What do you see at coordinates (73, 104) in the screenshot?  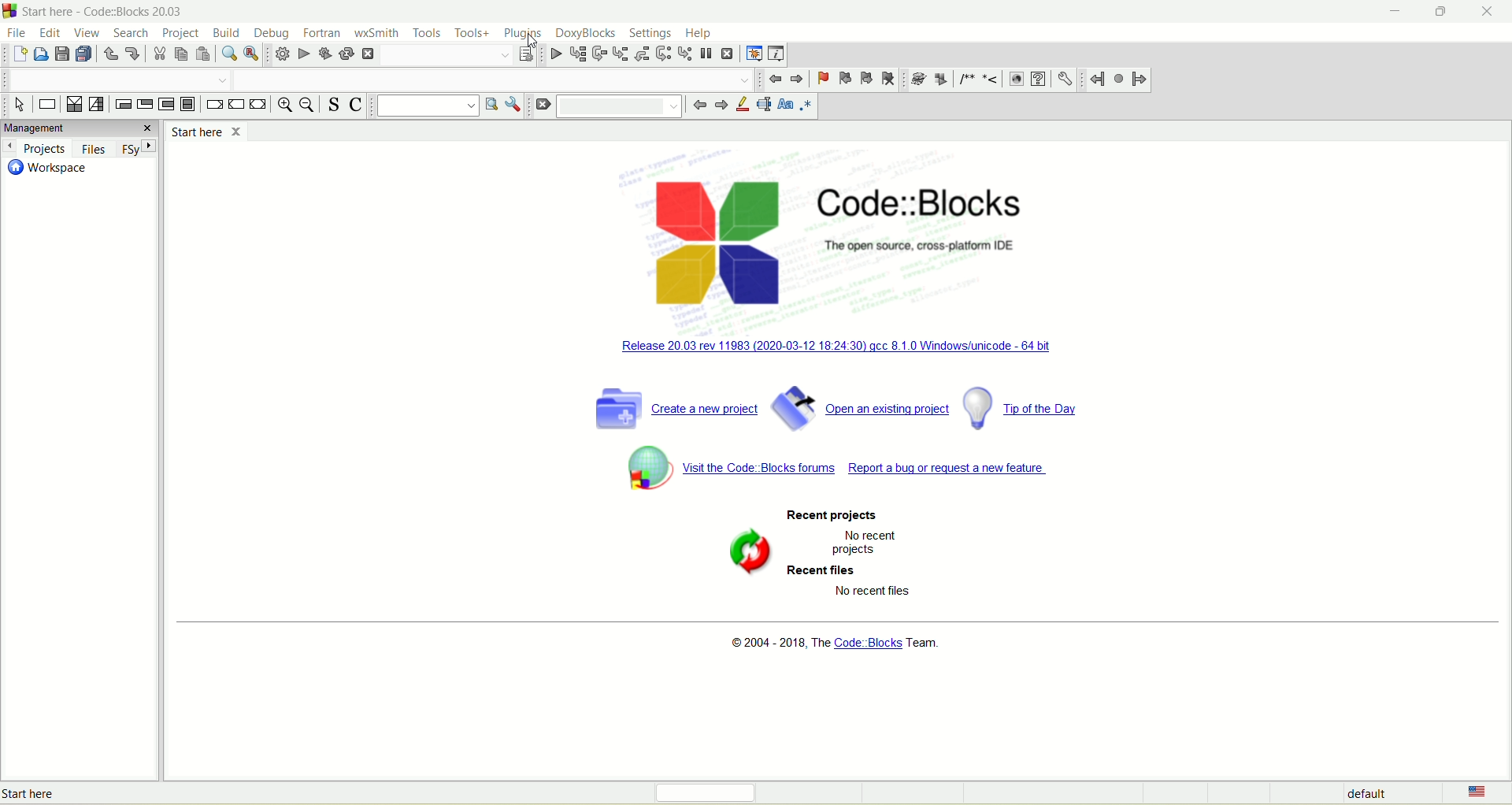 I see `decision` at bounding box center [73, 104].